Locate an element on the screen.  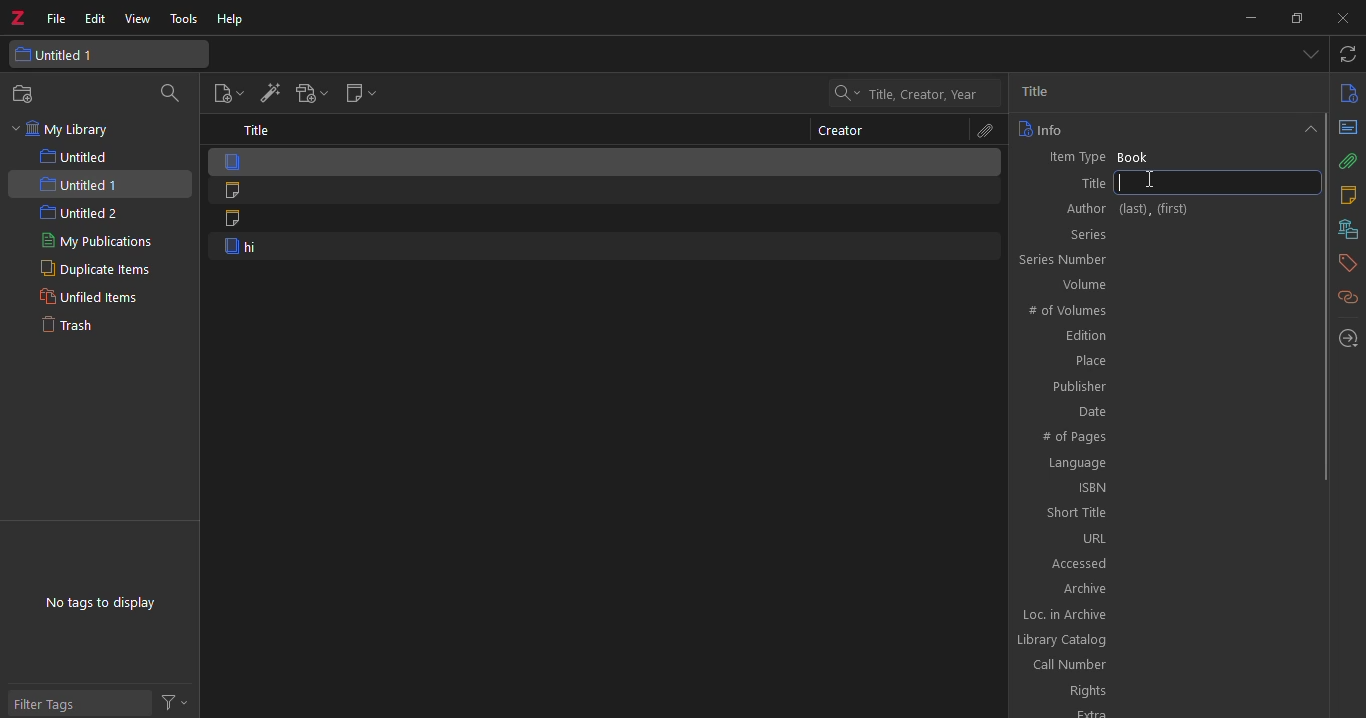
date is located at coordinates (1167, 410).